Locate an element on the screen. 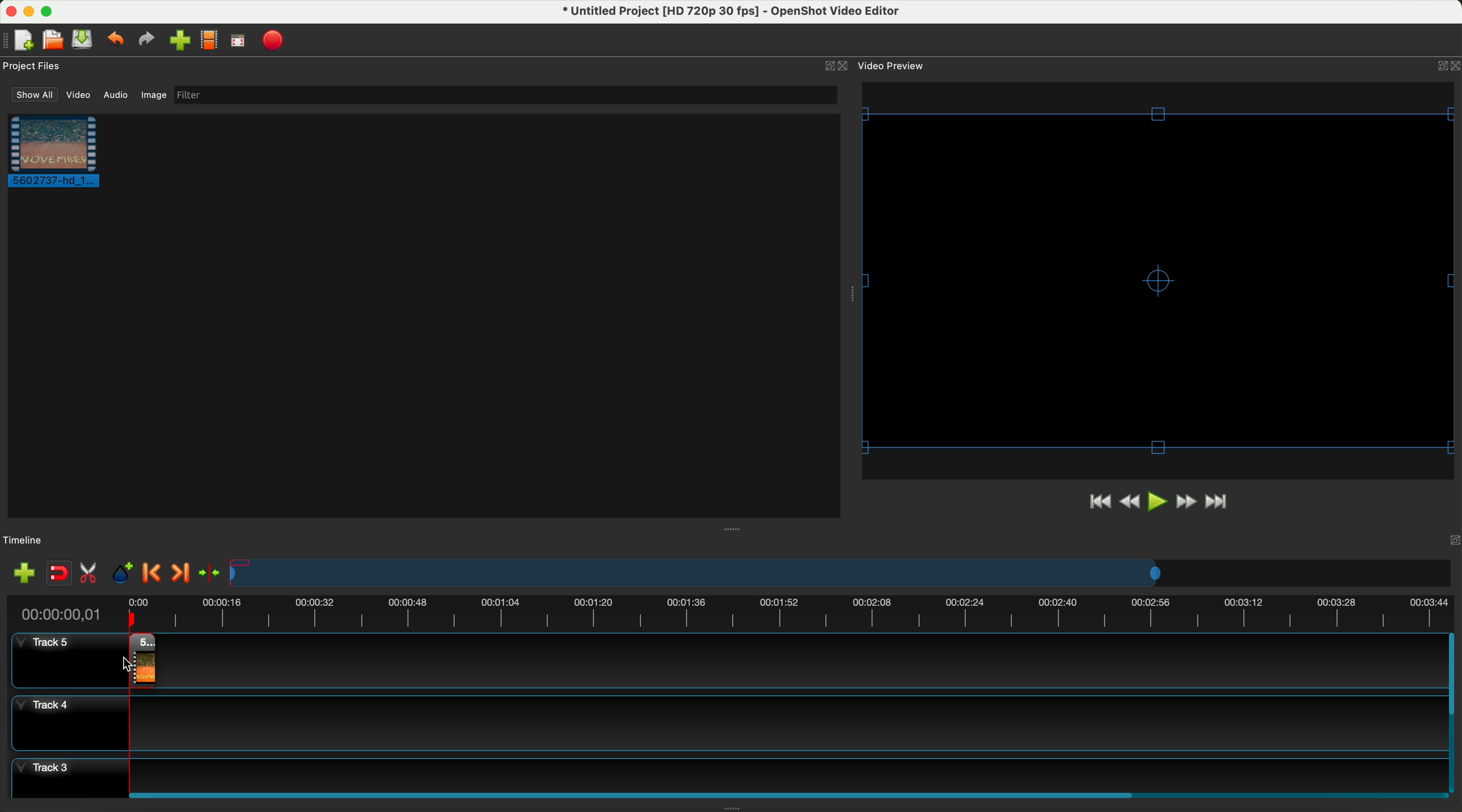  redo is located at coordinates (146, 40).